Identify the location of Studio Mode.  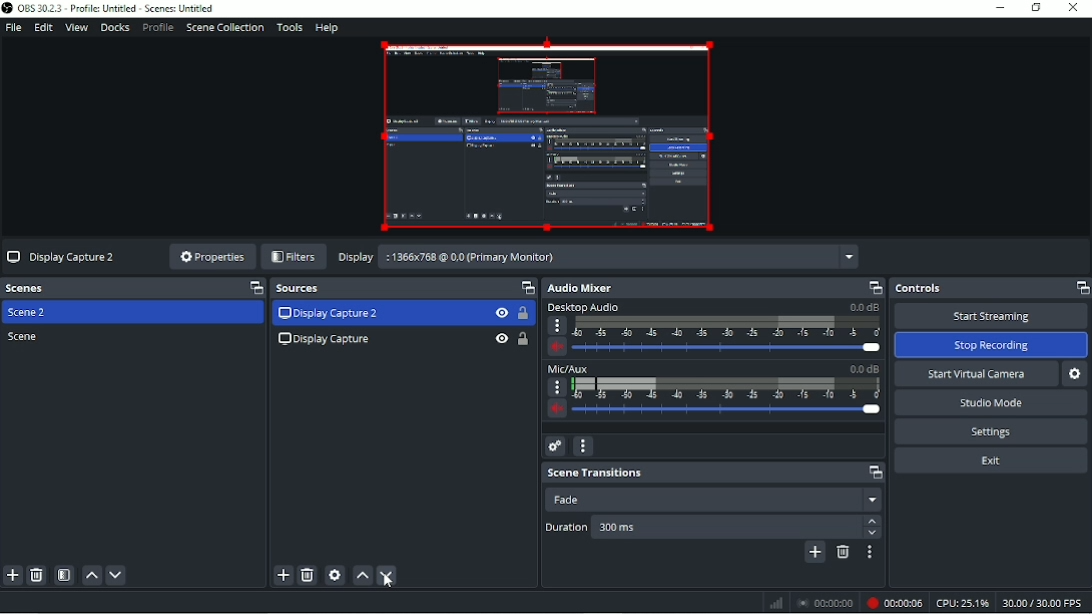
(990, 403).